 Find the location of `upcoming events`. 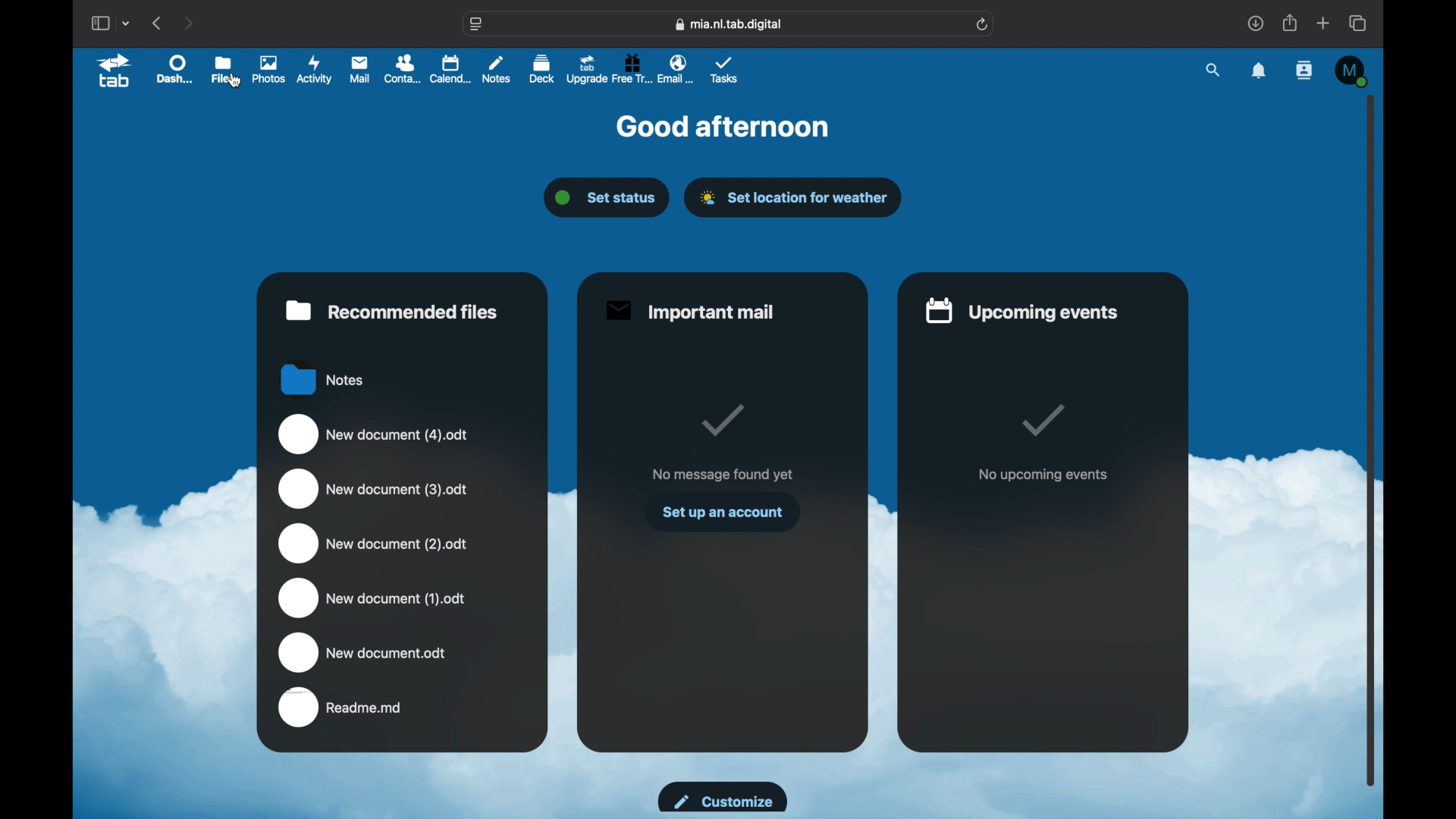

upcoming events is located at coordinates (1022, 311).